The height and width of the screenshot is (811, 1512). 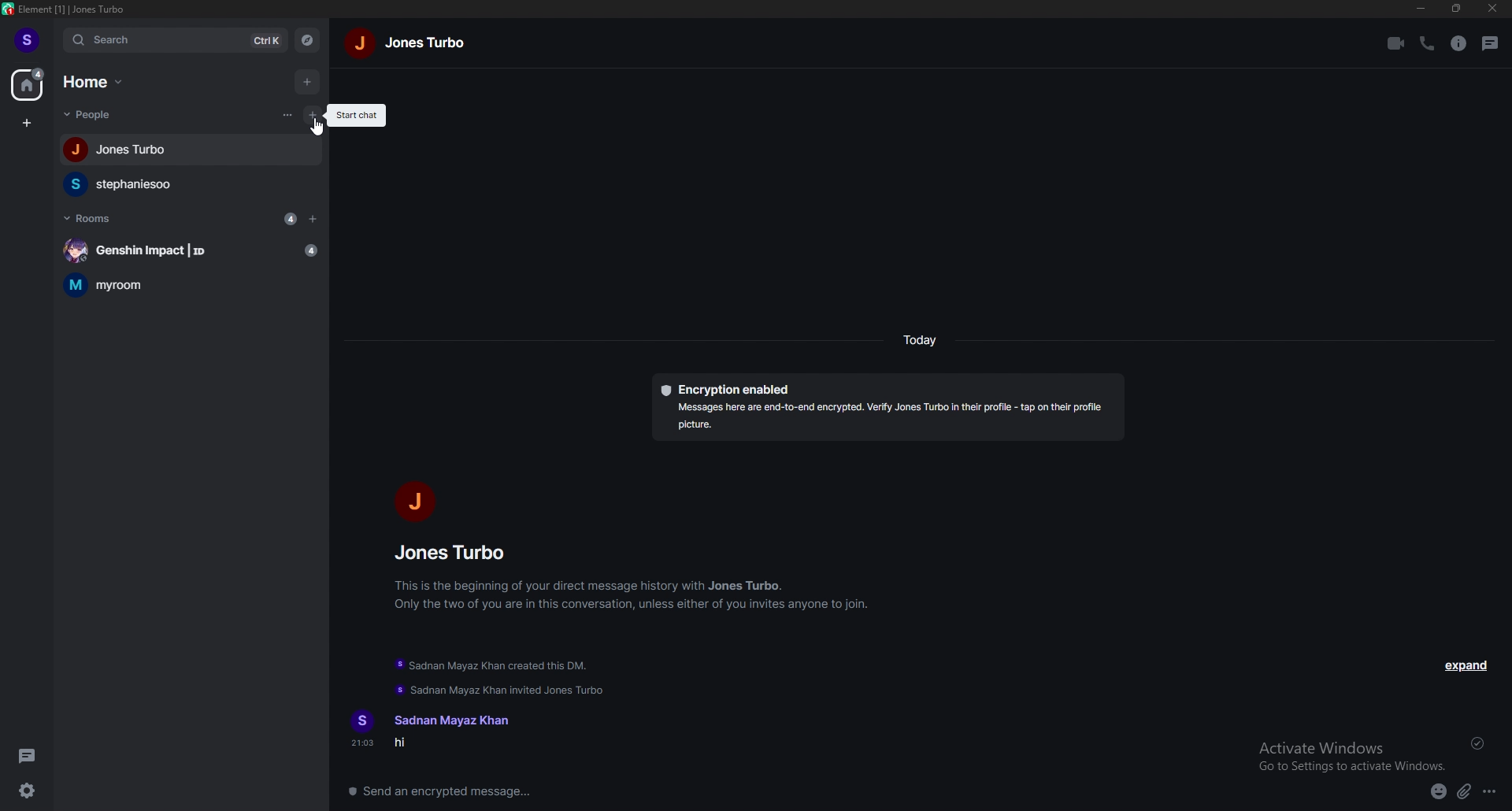 I want to click on people, so click(x=94, y=115).